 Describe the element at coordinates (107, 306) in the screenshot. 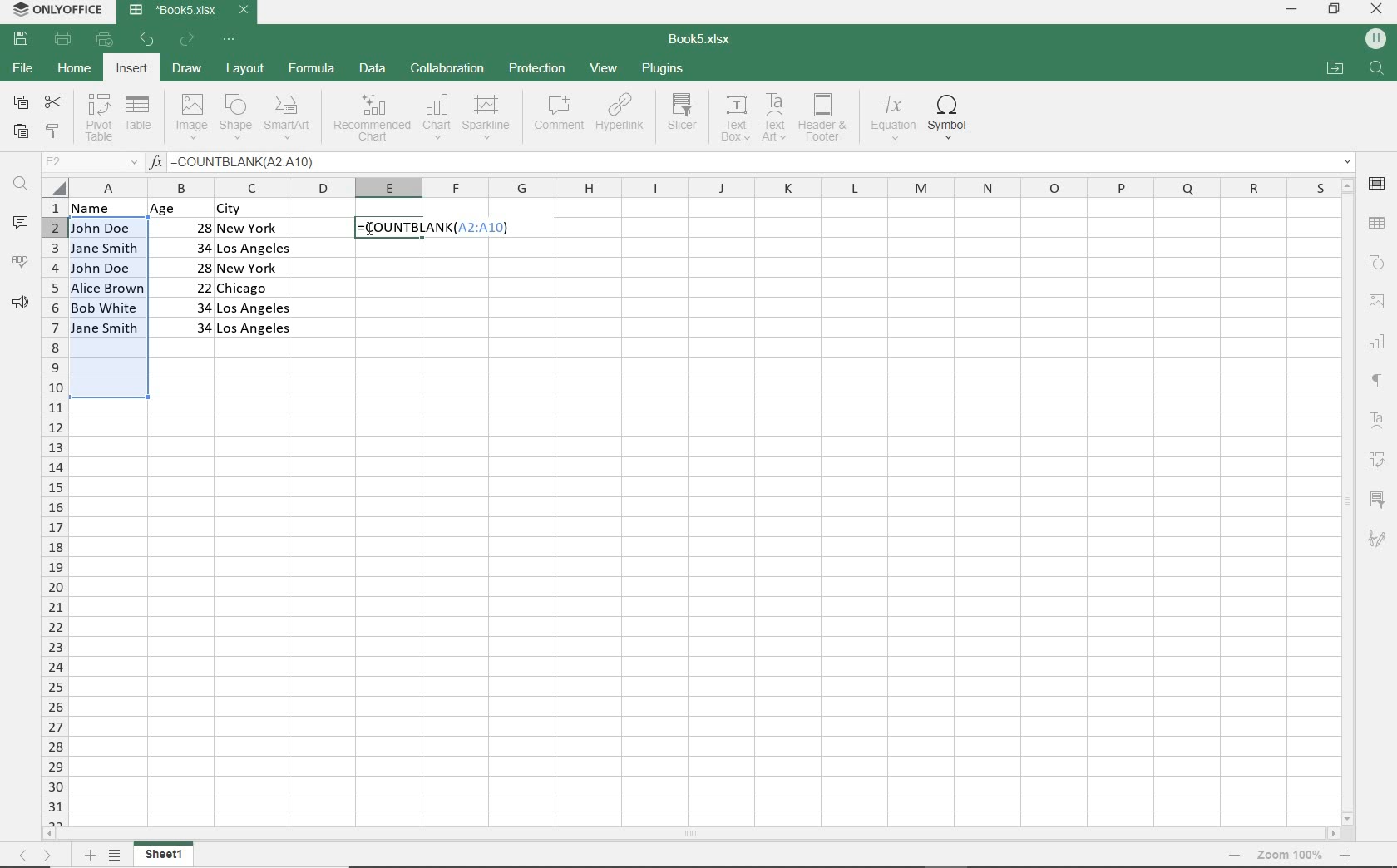

I see `Bob White` at that location.